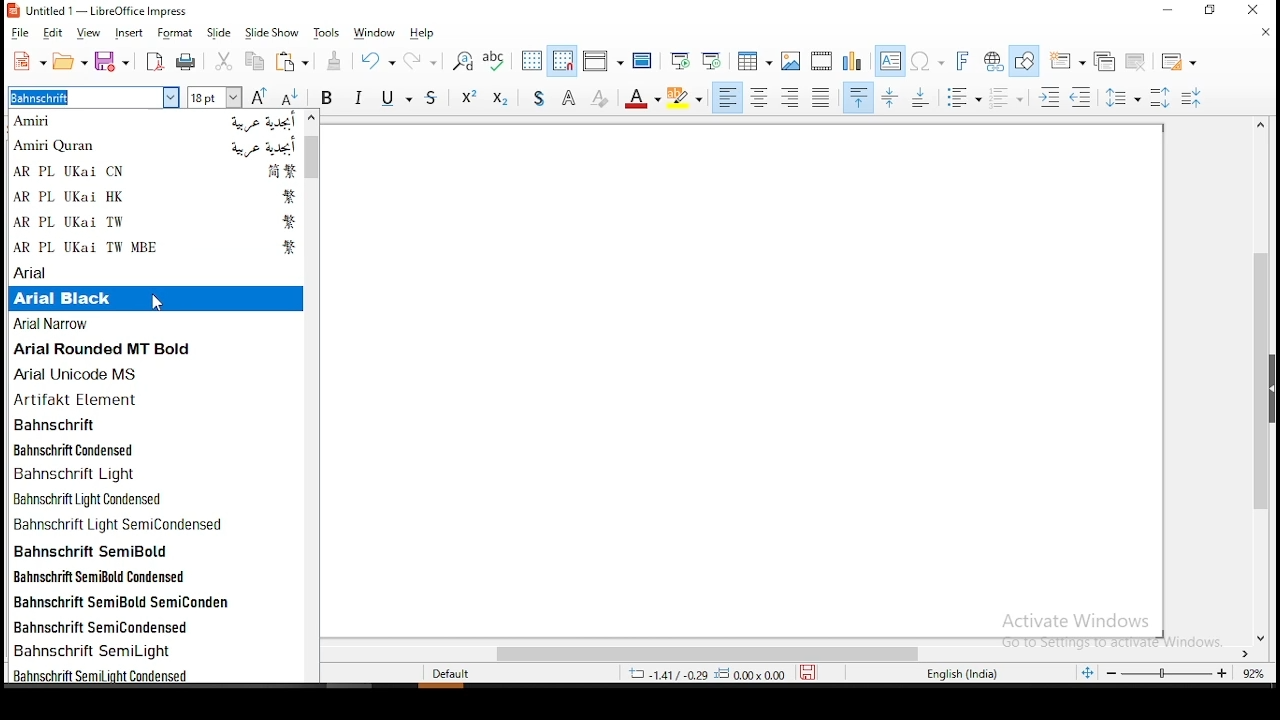 The height and width of the screenshot is (720, 1280). What do you see at coordinates (1254, 674) in the screenshot?
I see `zoom level` at bounding box center [1254, 674].